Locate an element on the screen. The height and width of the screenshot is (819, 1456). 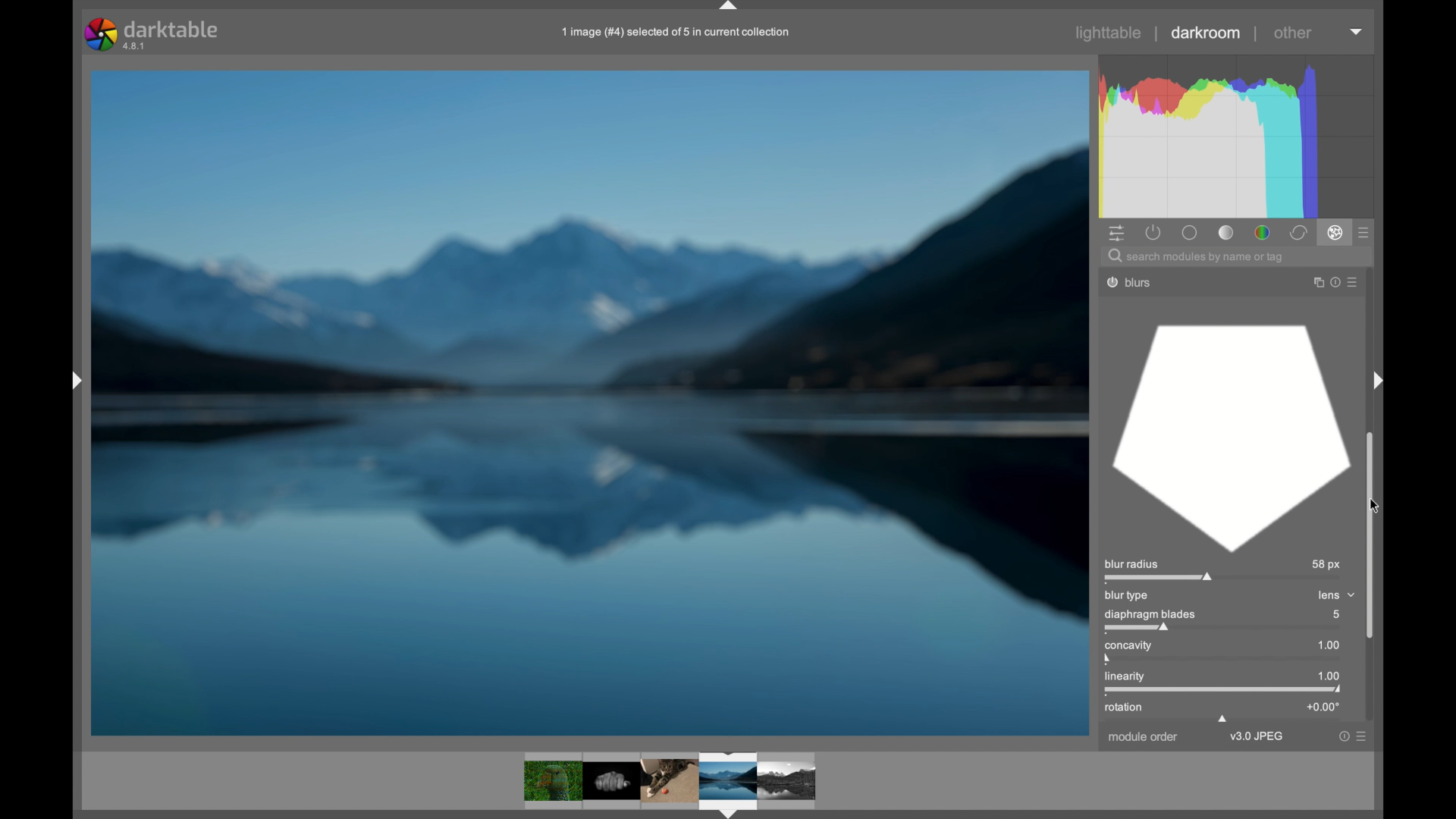
base is located at coordinates (1191, 232).